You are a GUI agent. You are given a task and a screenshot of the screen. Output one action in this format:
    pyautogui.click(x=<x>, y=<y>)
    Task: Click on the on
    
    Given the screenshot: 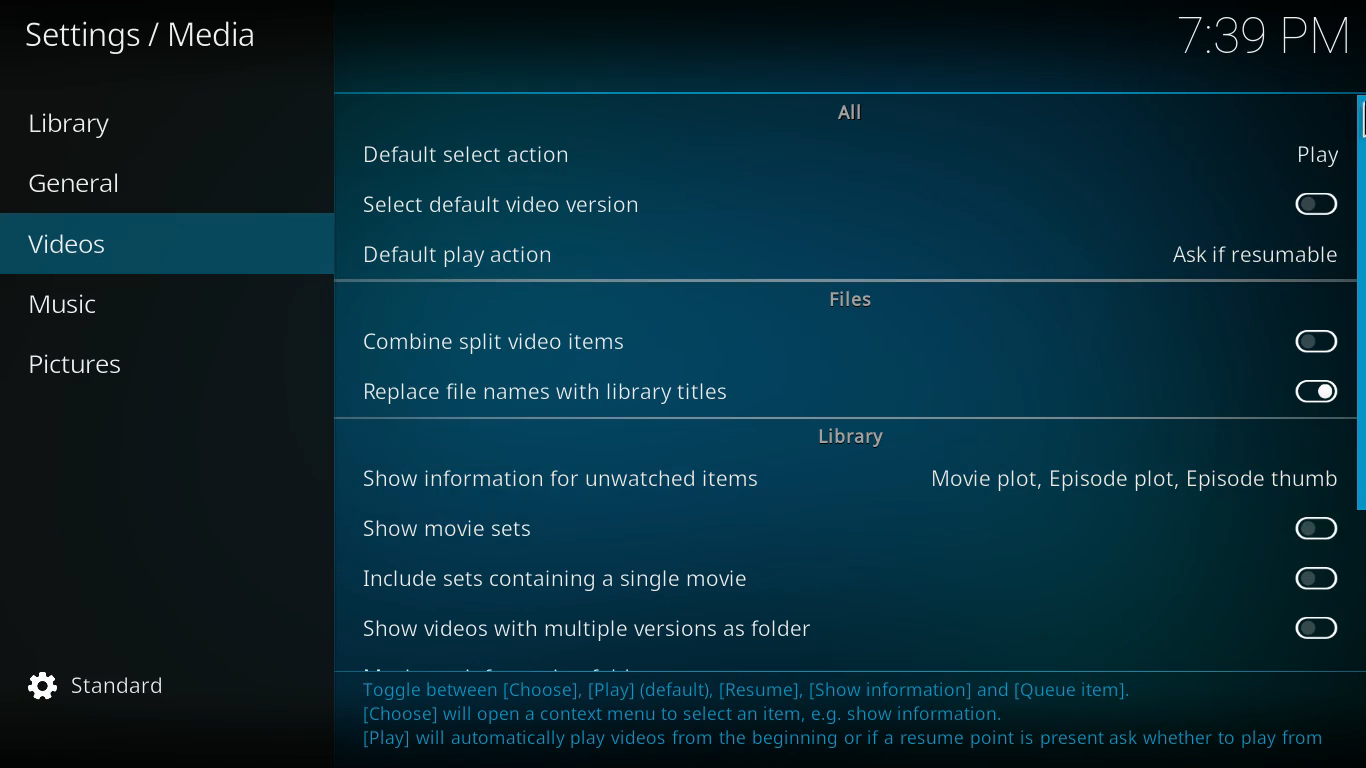 What is the action you would take?
    pyautogui.click(x=1316, y=388)
    